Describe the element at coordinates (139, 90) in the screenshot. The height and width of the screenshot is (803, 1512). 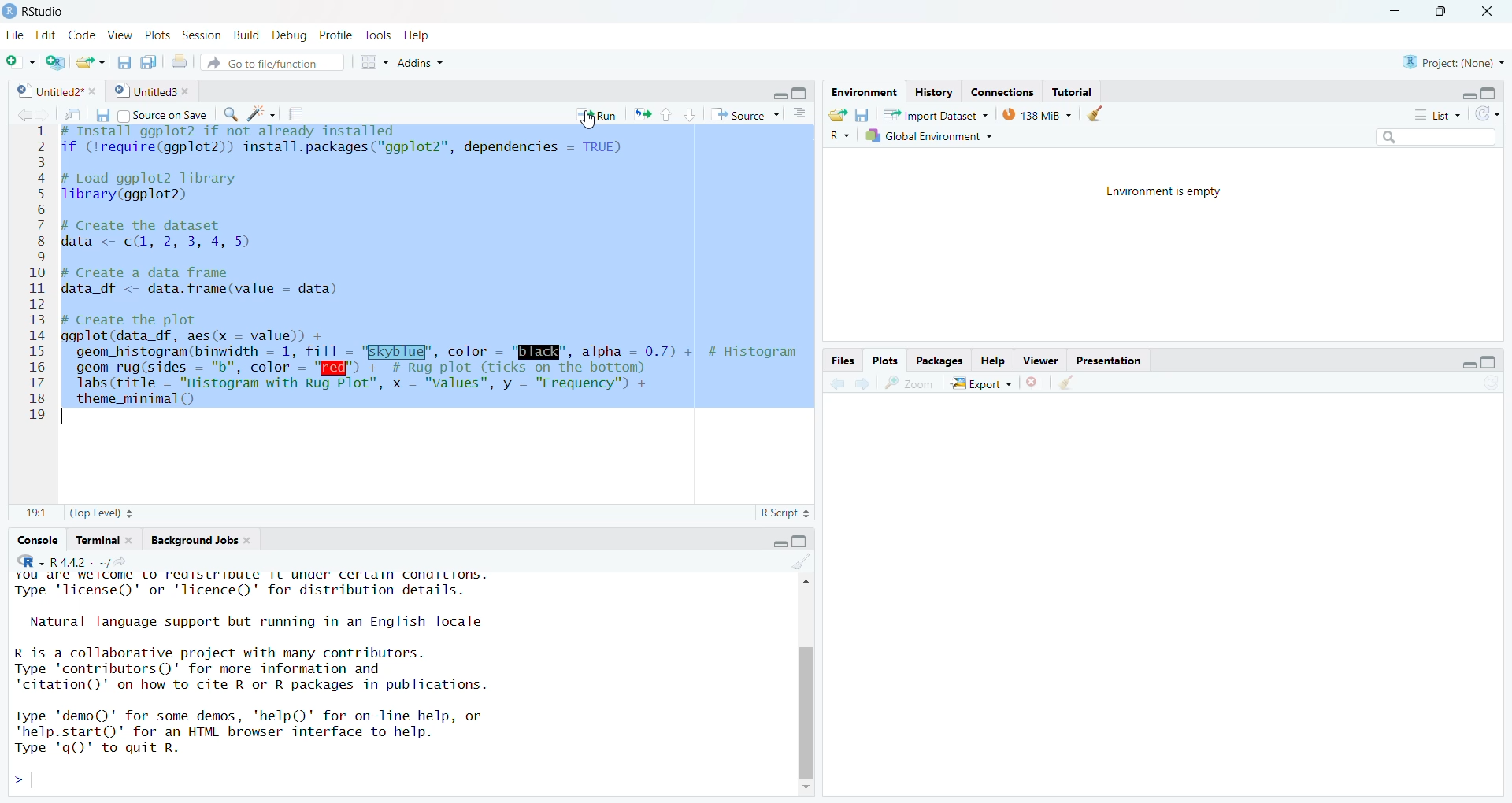
I see `© | Untitled3` at that location.